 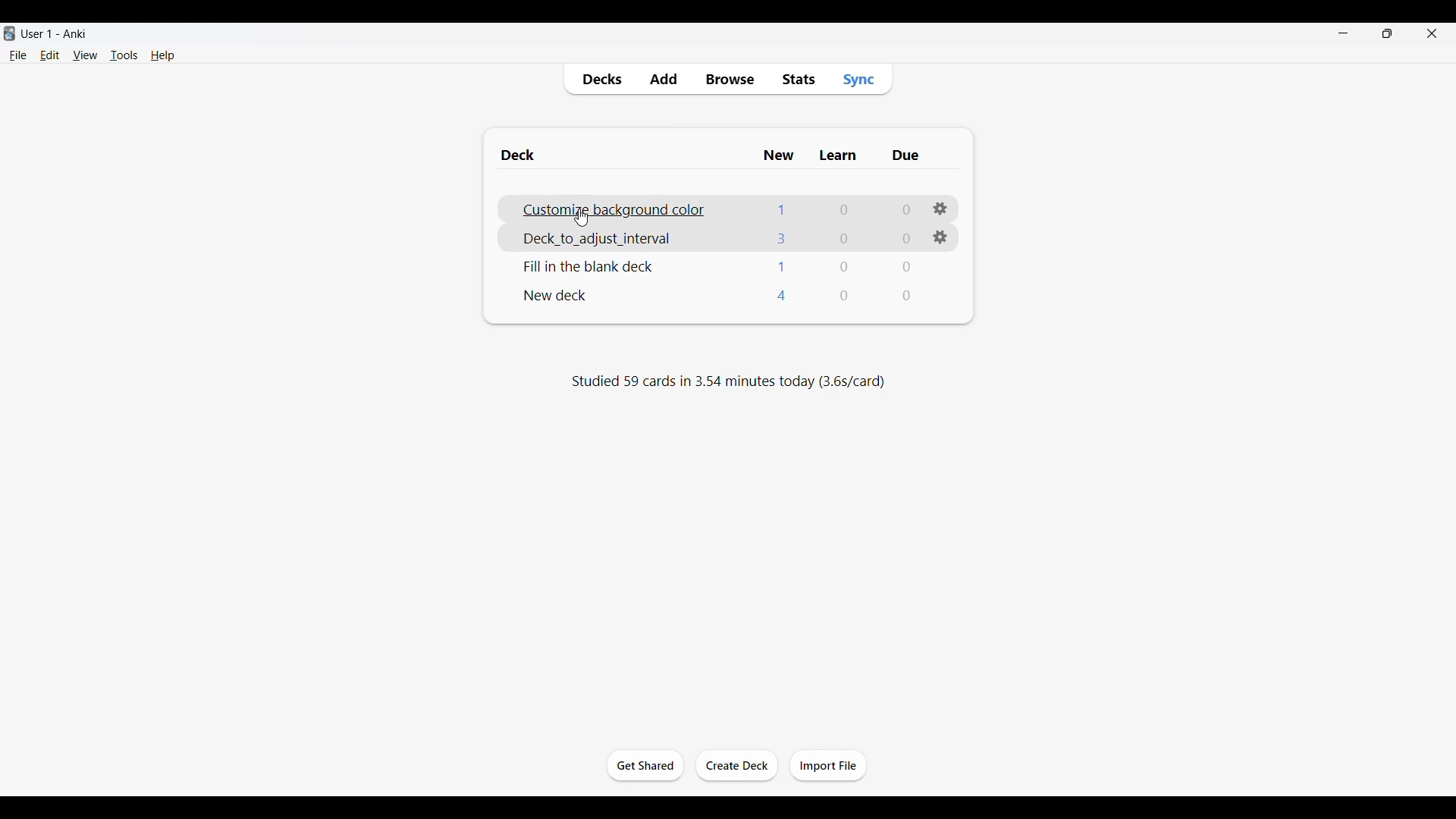 What do you see at coordinates (940, 237) in the screenshot?
I see `Settings of respective deck` at bounding box center [940, 237].